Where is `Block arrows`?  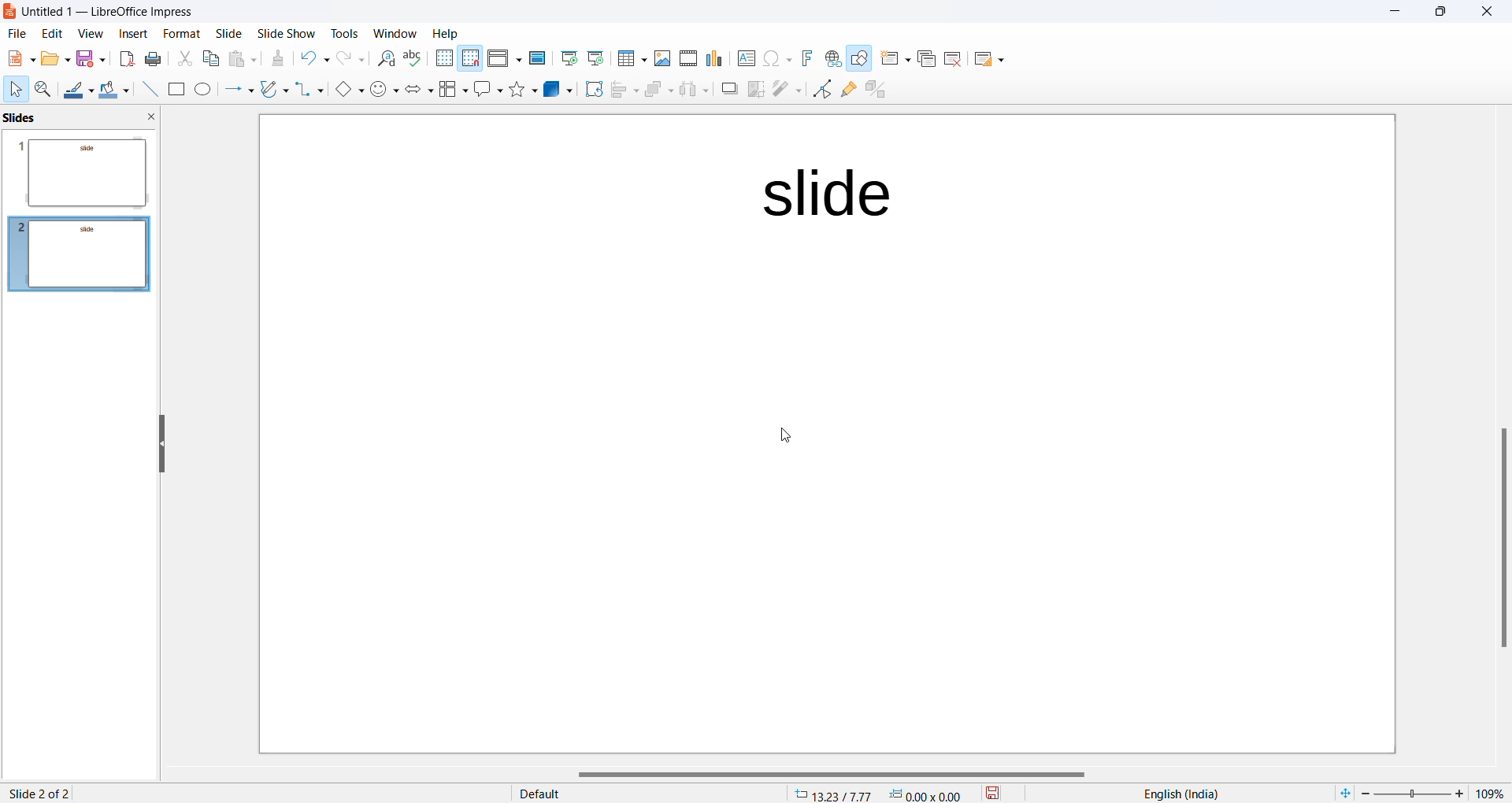
Block arrows is located at coordinates (417, 91).